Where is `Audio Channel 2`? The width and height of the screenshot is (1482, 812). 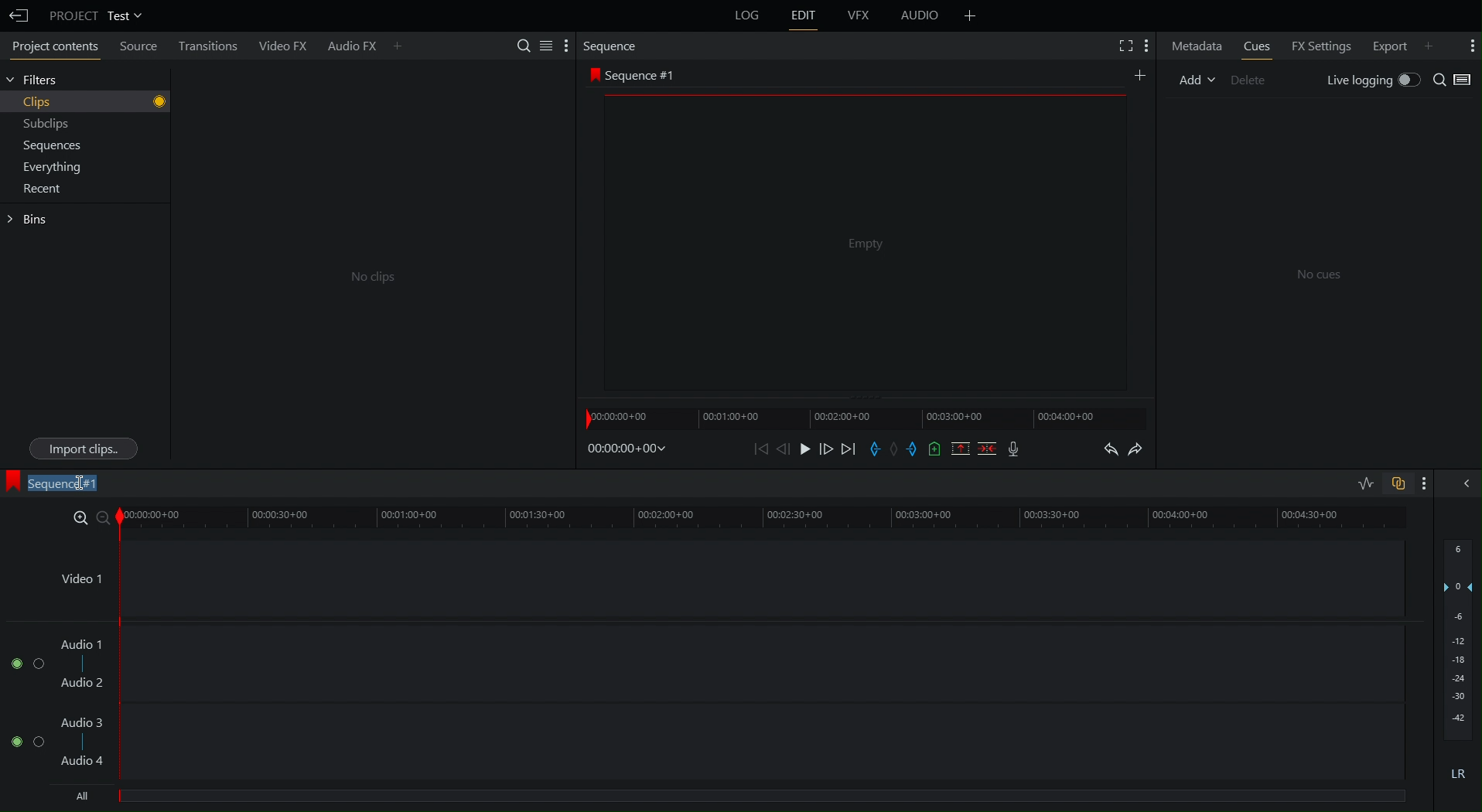 Audio Channel 2 is located at coordinates (22, 738).